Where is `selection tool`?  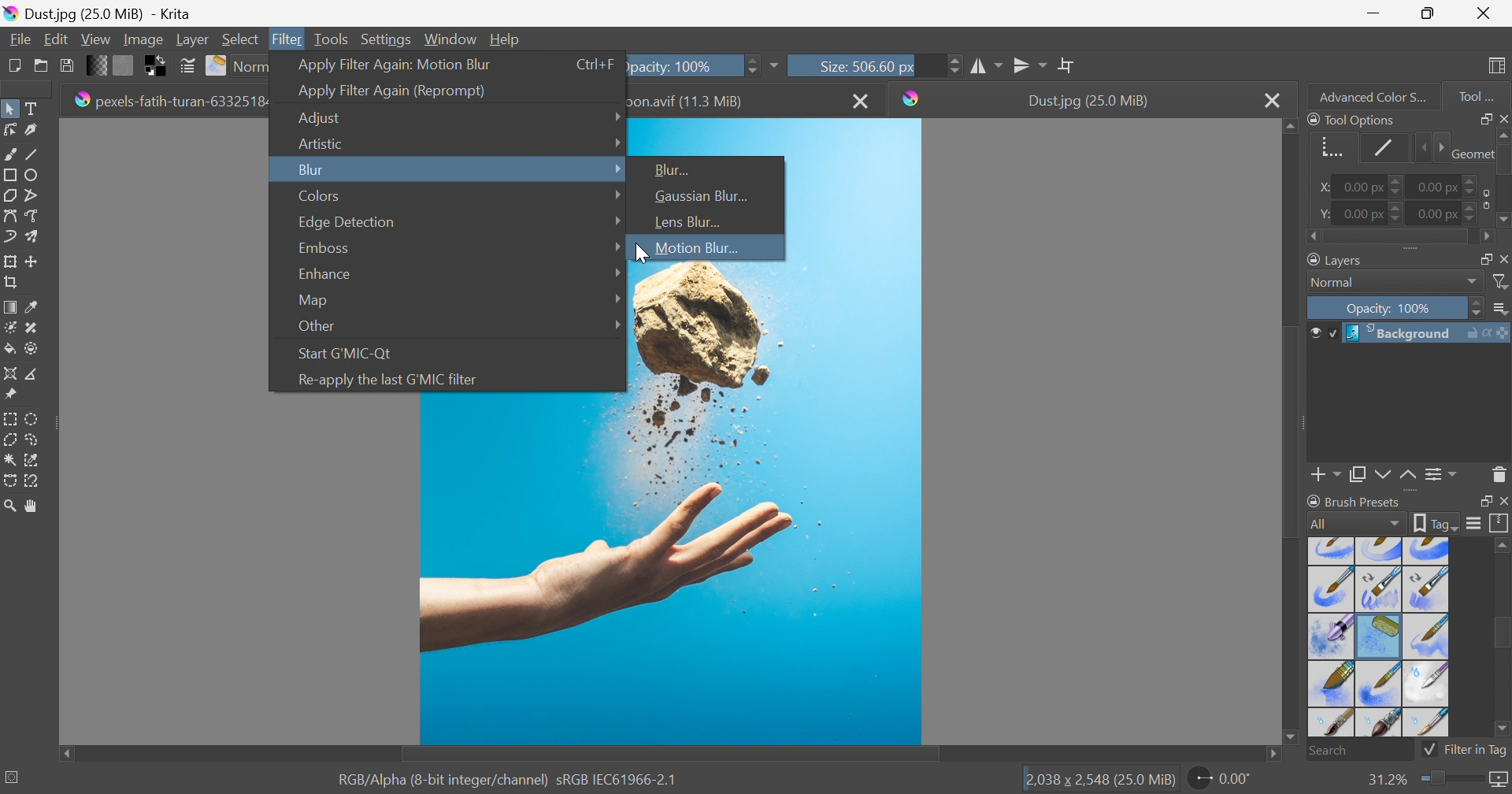
selection tool is located at coordinates (36, 458).